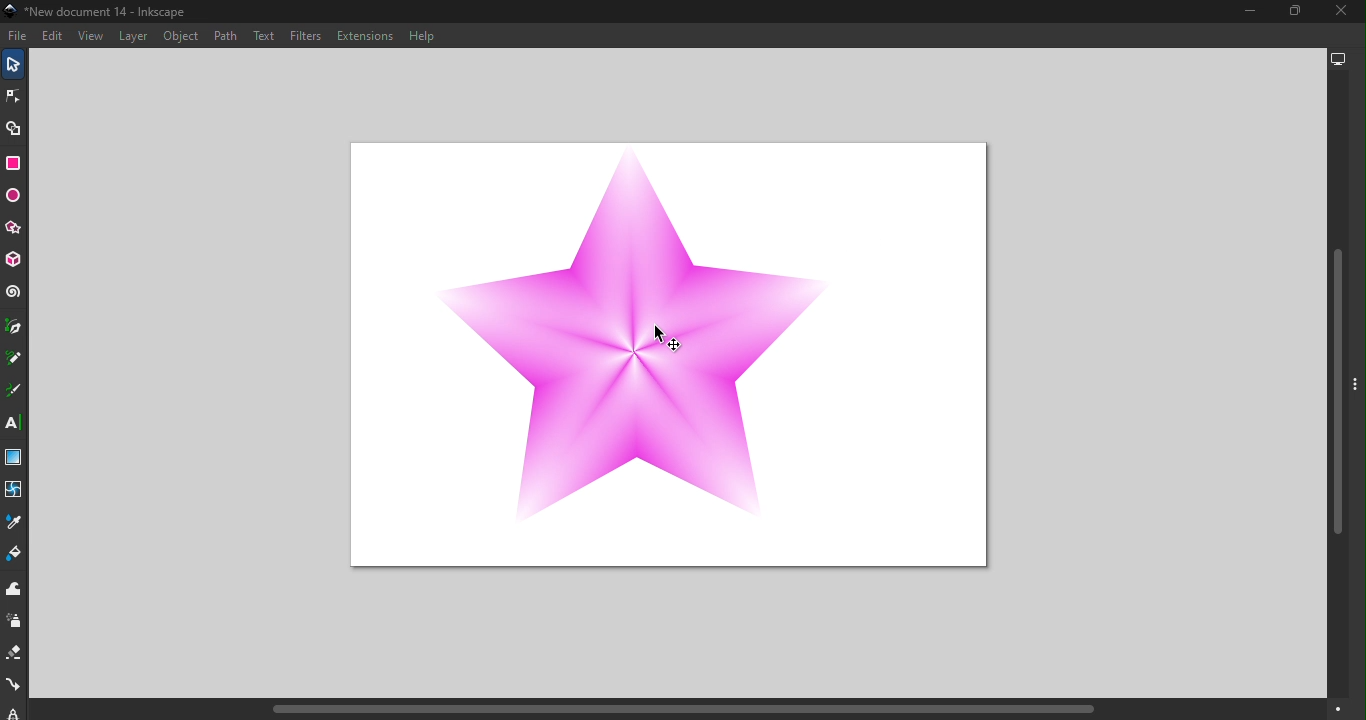  Describe the element at coordinates (17, 587) in the screenshot. I see `Tweak tool` at that location.